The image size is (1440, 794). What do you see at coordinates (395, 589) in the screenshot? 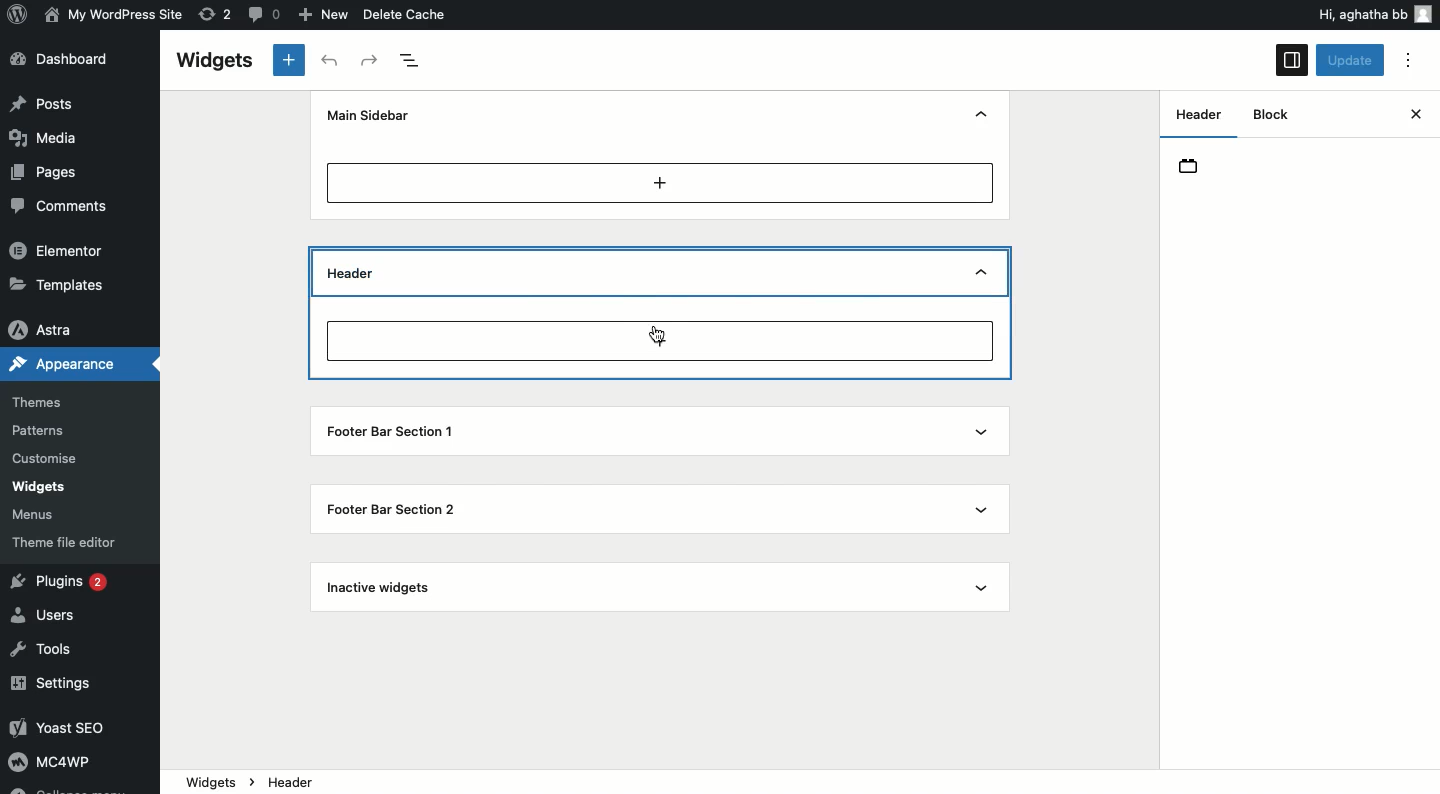
I see `Inactive widgets` at bounding box center [395, 589].